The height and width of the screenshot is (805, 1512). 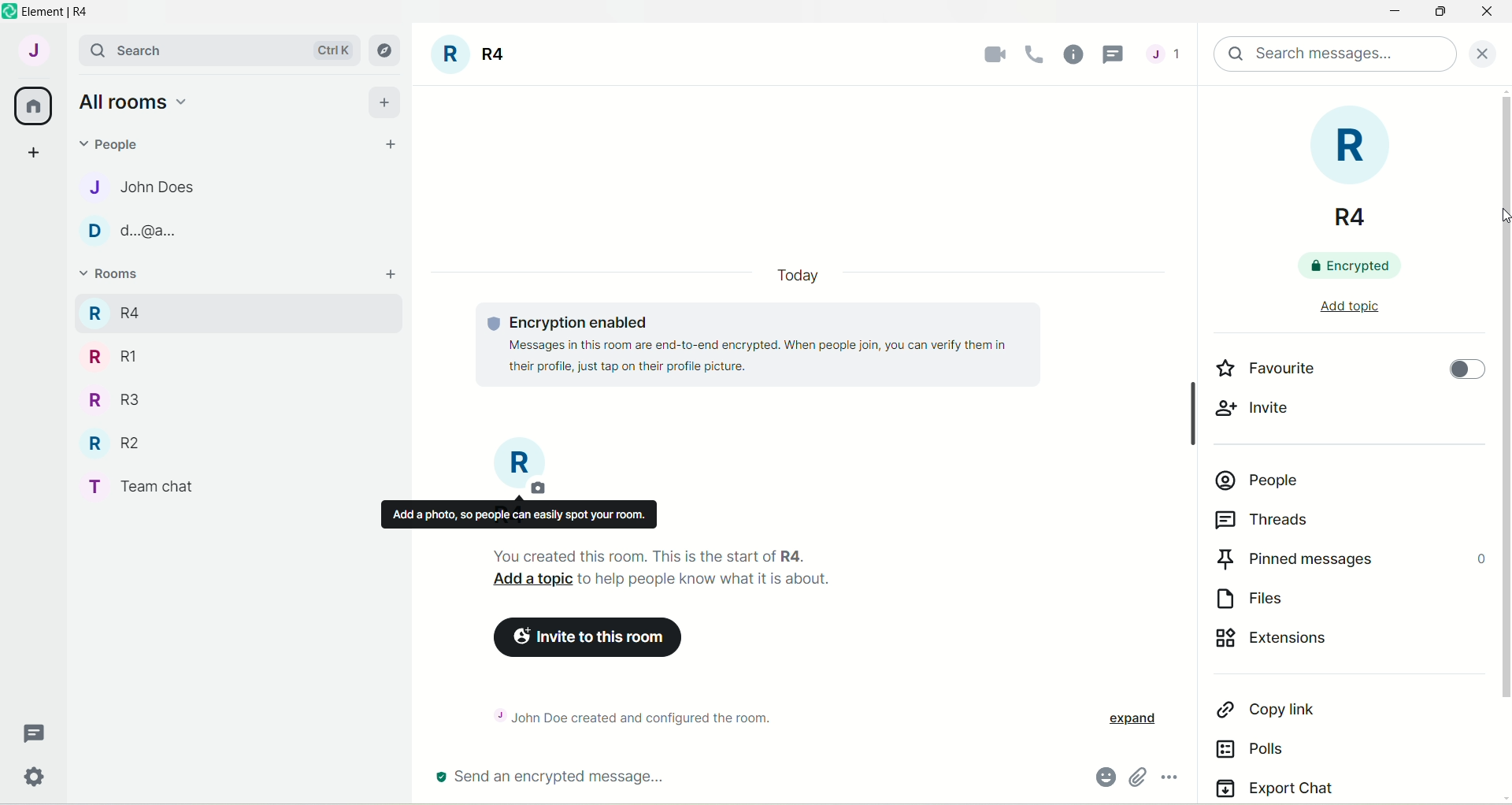 What do you see at coordinates (584, 638) in the screenshot?
I see `invite to this room` at bounding box center [584, 638].